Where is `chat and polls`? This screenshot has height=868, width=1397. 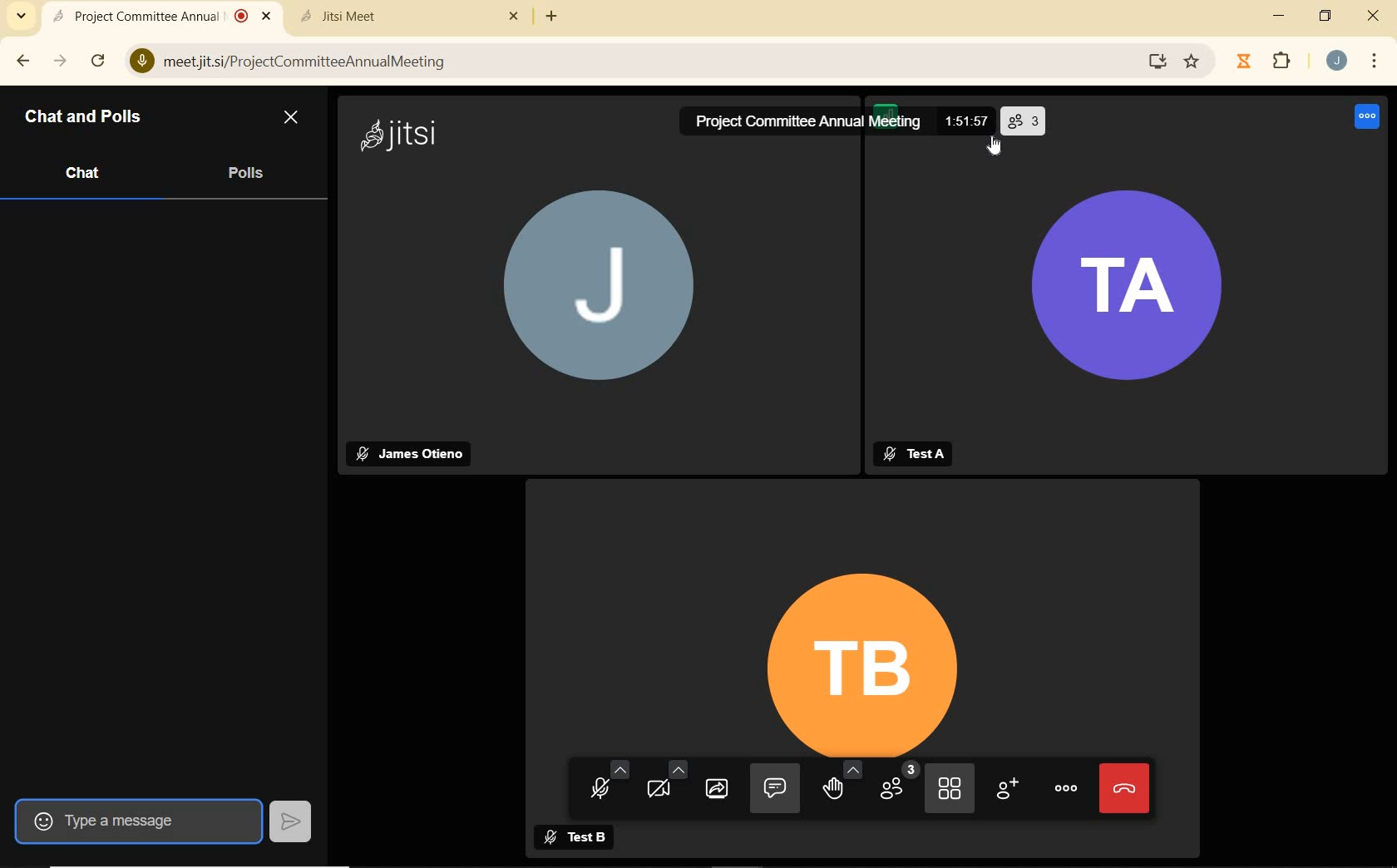
chat and polls is located at coordinates (98, 118).